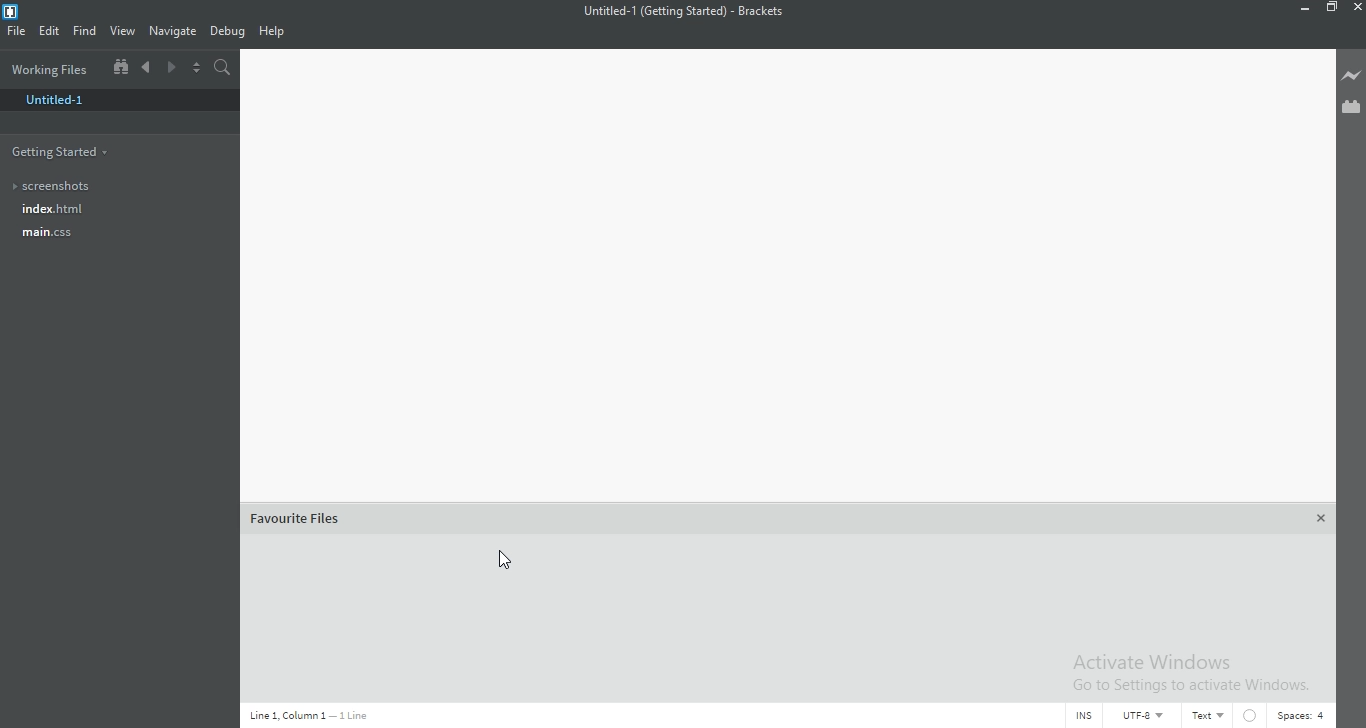 The width and height of the screenshot is (1366, 728). I want to click on remove, so click(508, 550).